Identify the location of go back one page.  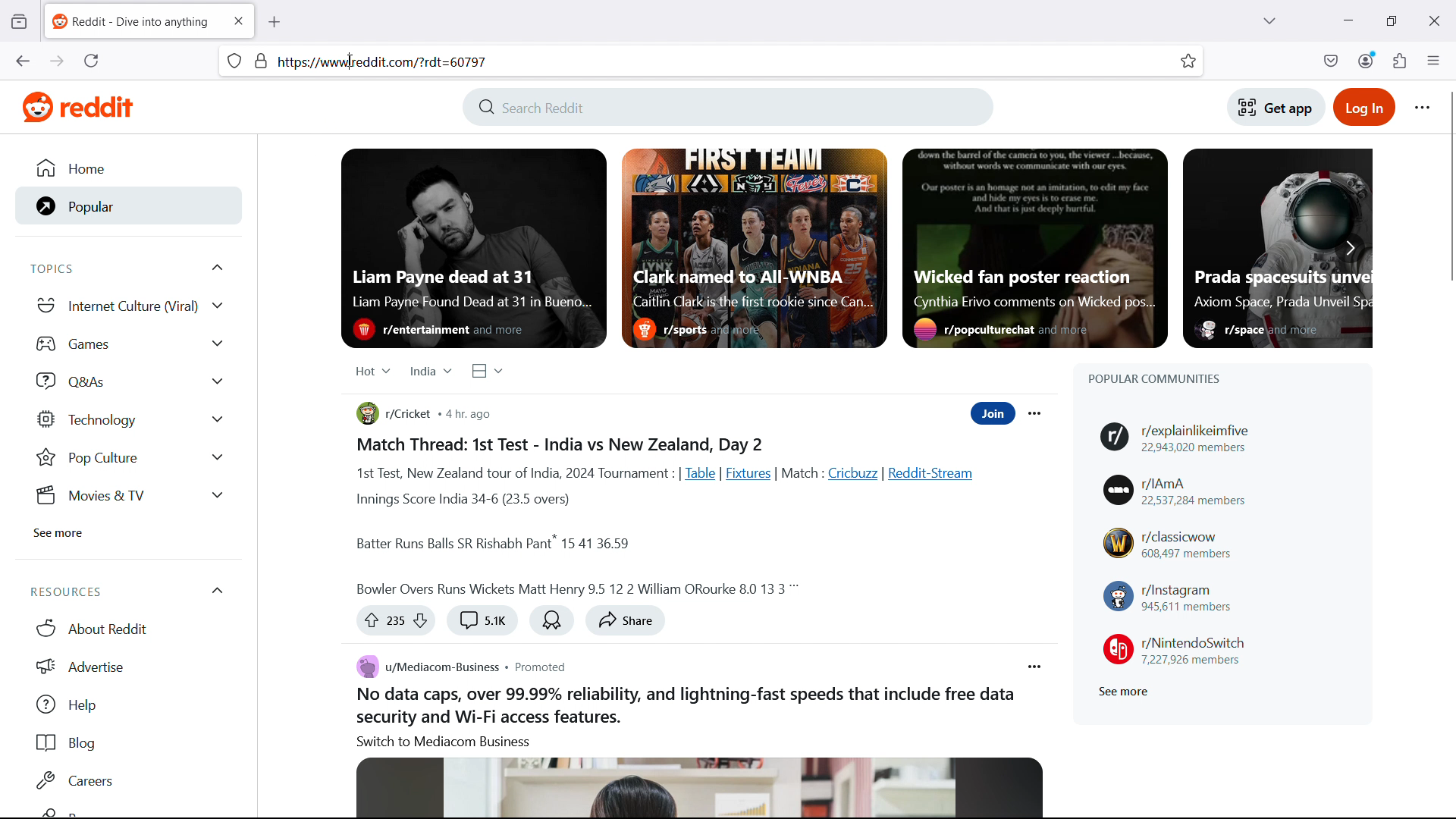
(22, 60).